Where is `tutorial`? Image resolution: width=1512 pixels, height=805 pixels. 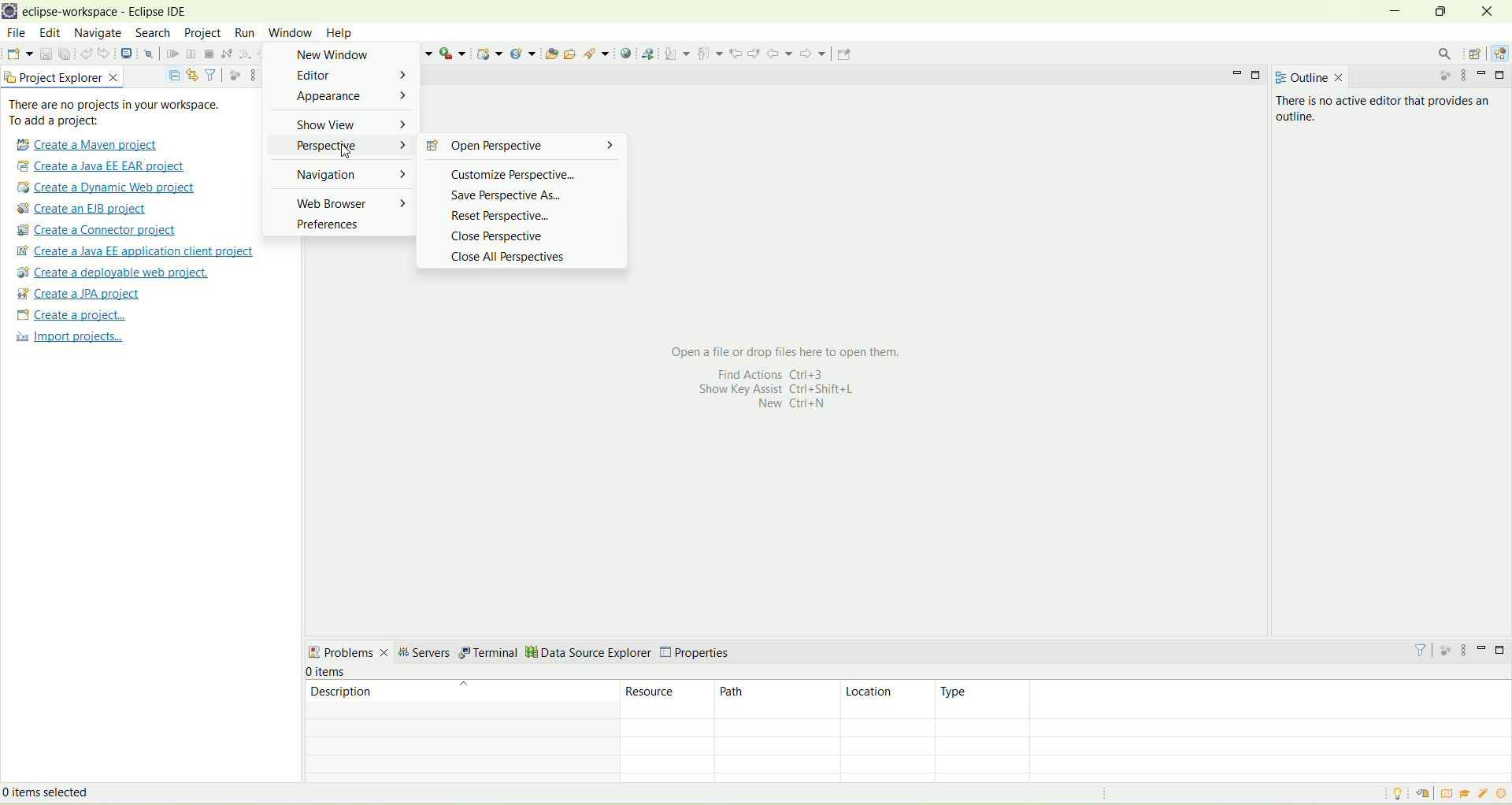
tutorial is located at coordinates (1466, 793).